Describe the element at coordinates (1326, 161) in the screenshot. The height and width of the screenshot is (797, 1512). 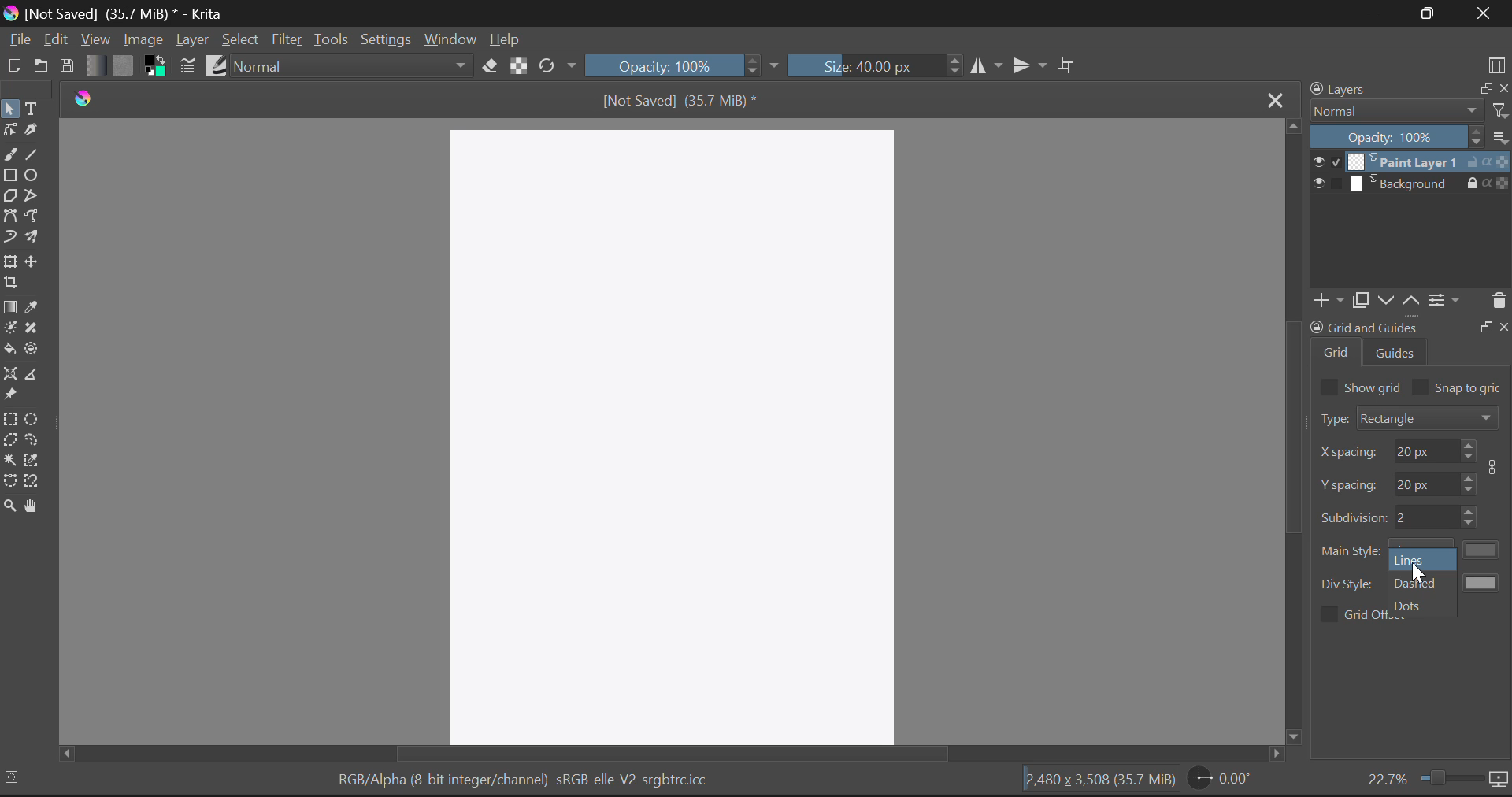
I see `show/hide` at that location.